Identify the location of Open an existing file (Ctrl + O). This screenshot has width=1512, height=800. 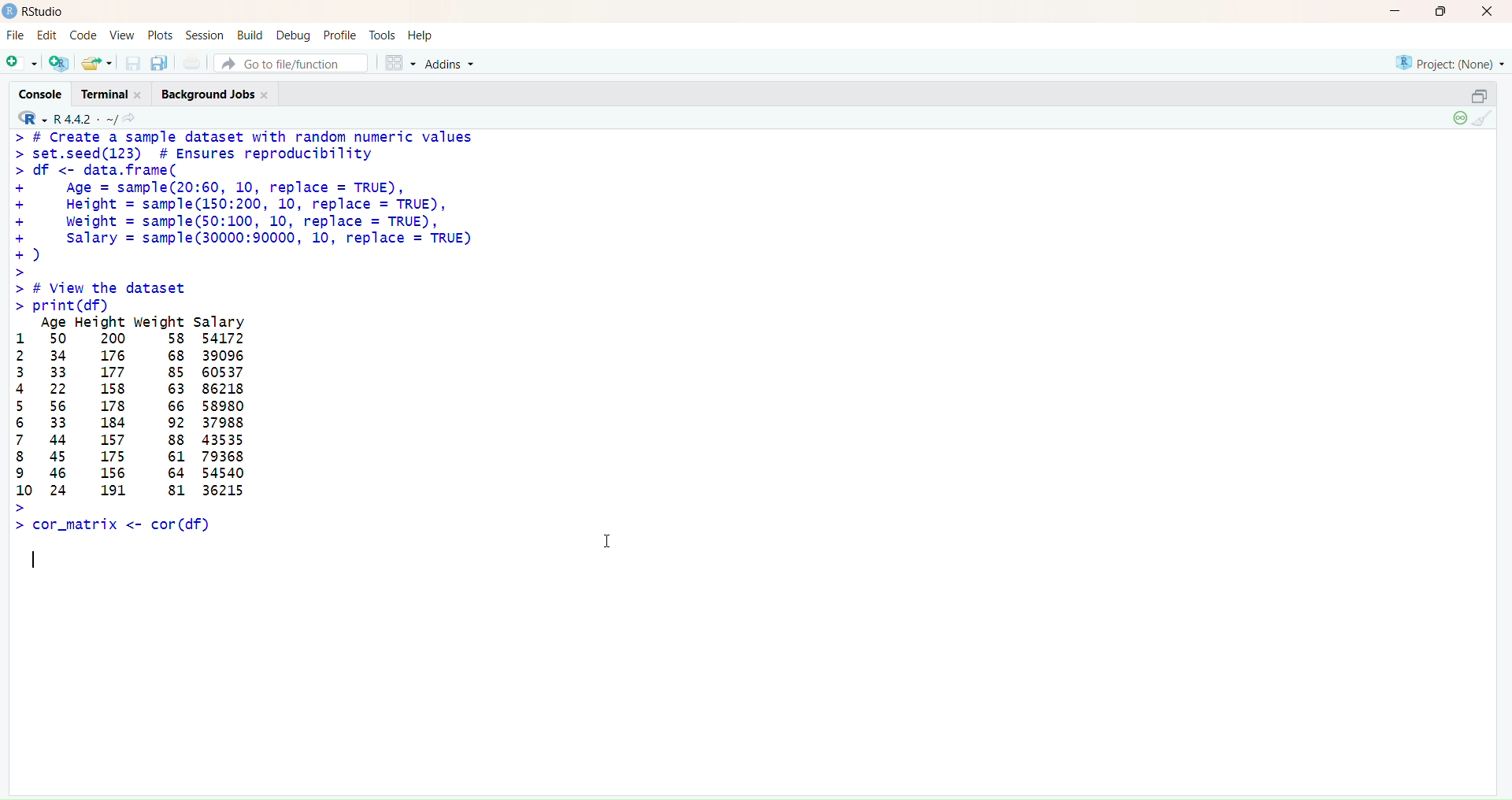
(95, 62).